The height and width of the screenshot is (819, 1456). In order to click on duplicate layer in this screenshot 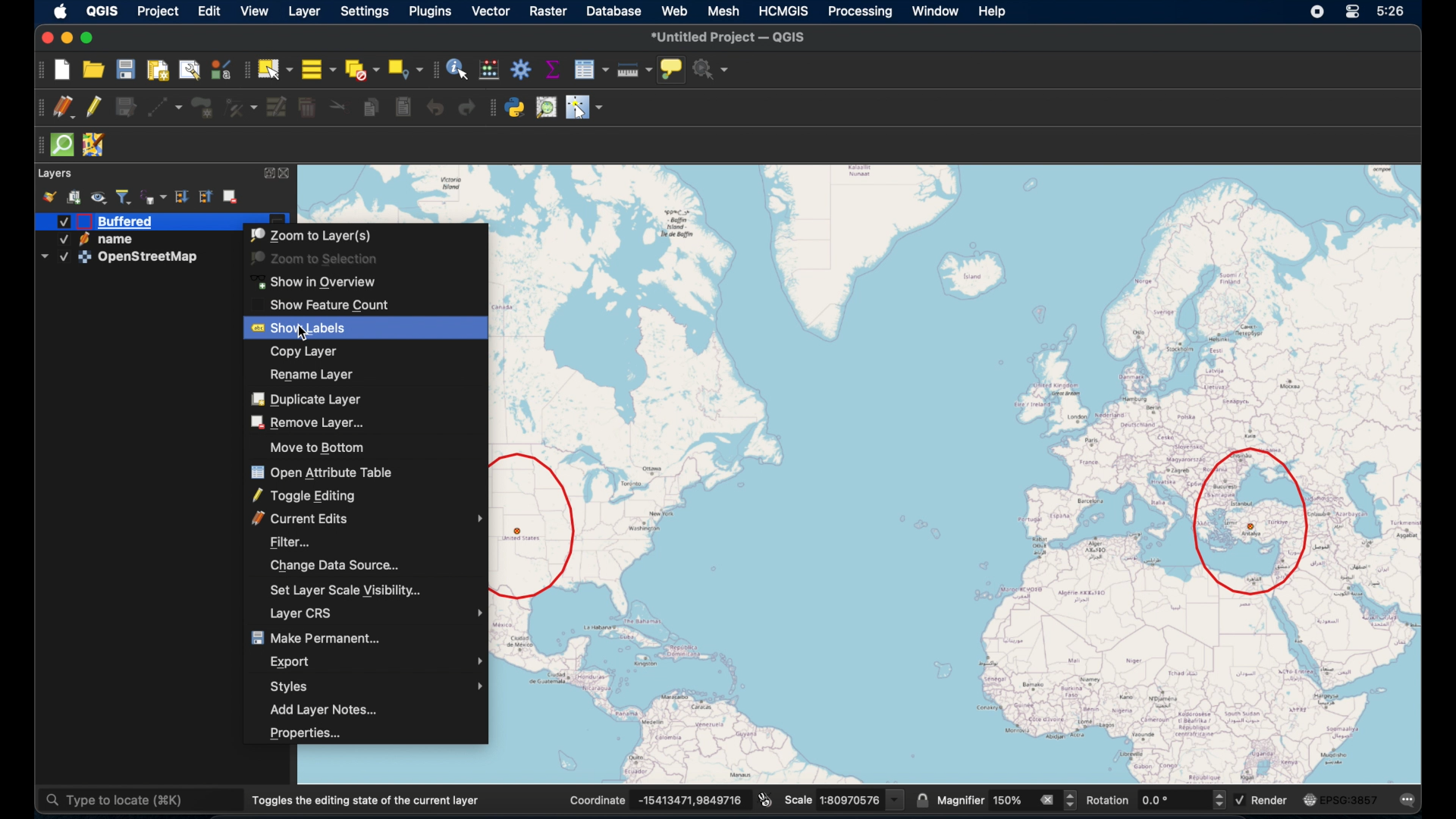, I will do `click(307, 398)`.